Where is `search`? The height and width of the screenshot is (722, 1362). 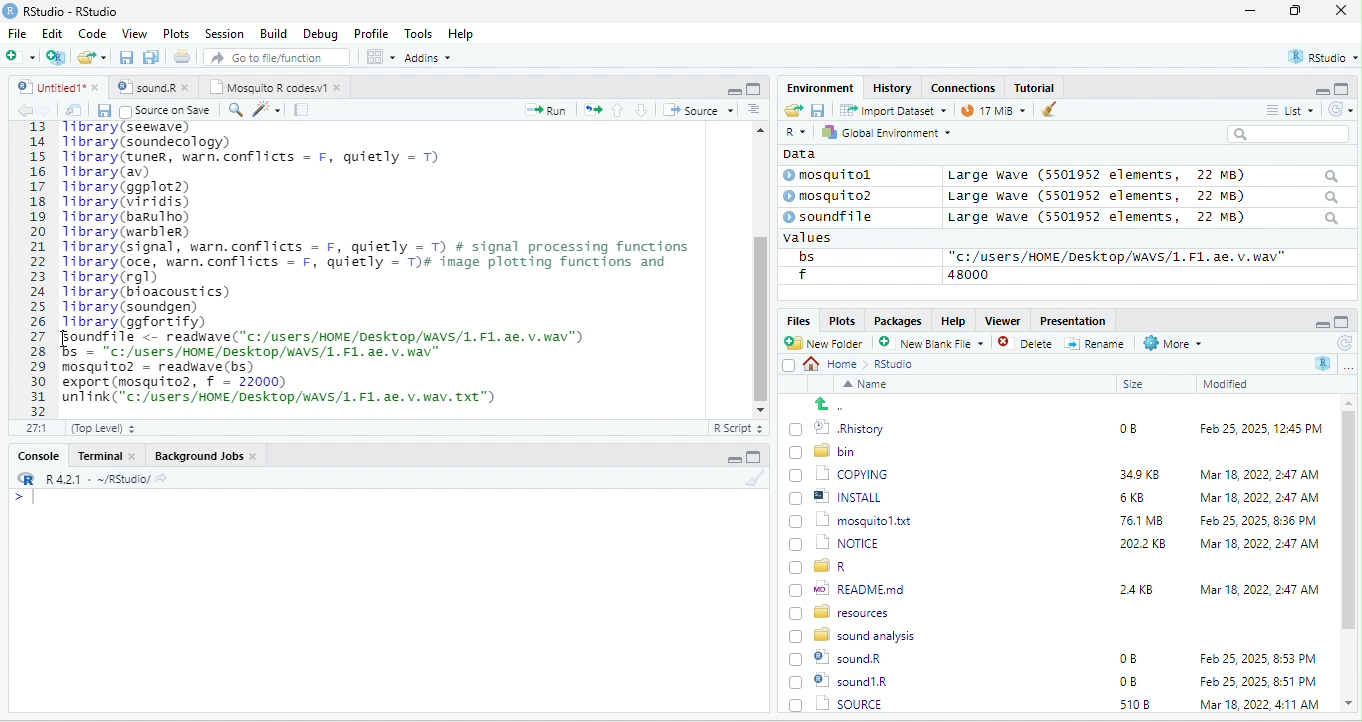
search is located at coordinates (1288, 134).